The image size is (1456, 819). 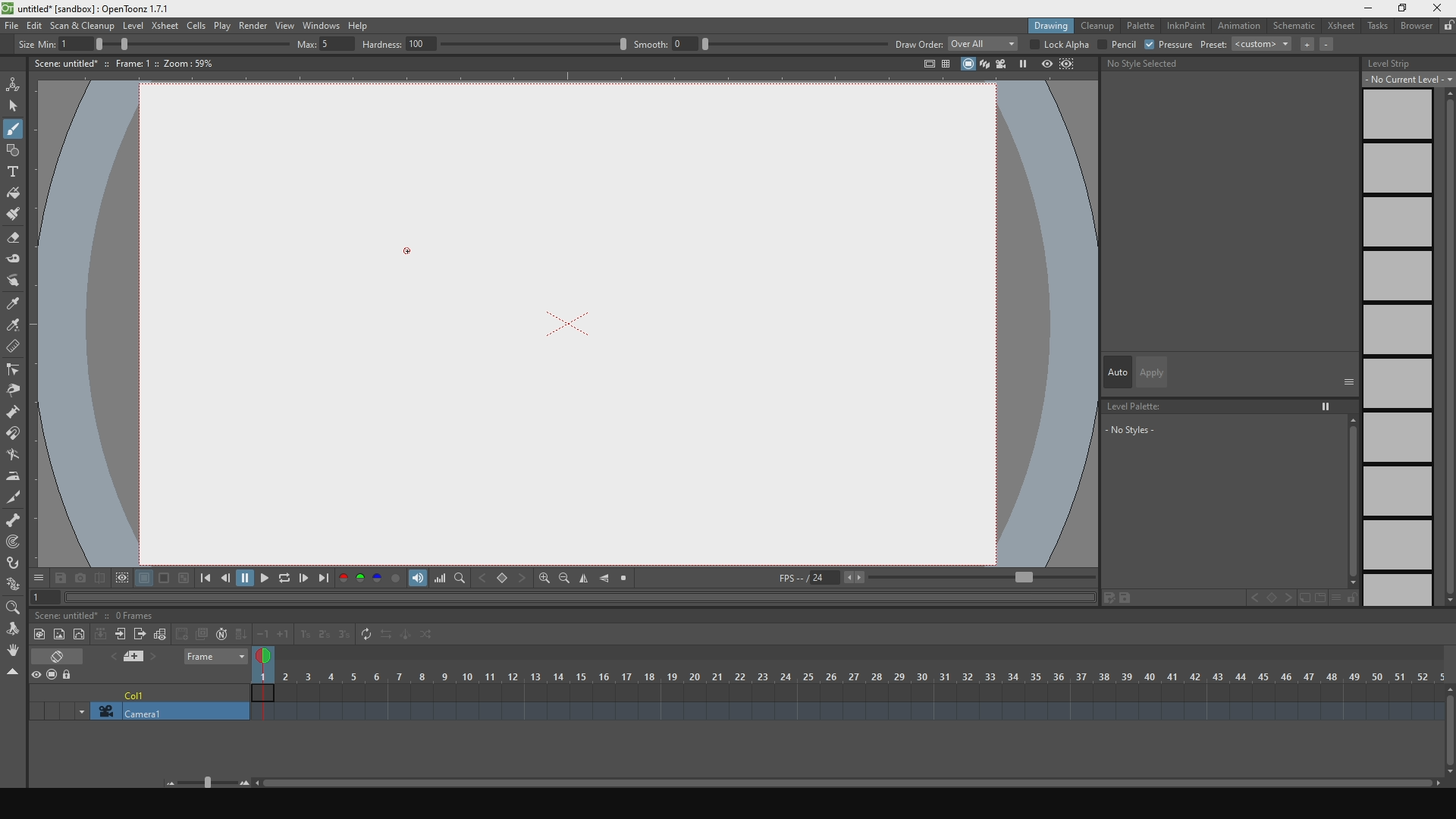 What do you see at coordinates (1241, 27) in the screenshot?
I see `animation` at bounding box center [1241, 27].